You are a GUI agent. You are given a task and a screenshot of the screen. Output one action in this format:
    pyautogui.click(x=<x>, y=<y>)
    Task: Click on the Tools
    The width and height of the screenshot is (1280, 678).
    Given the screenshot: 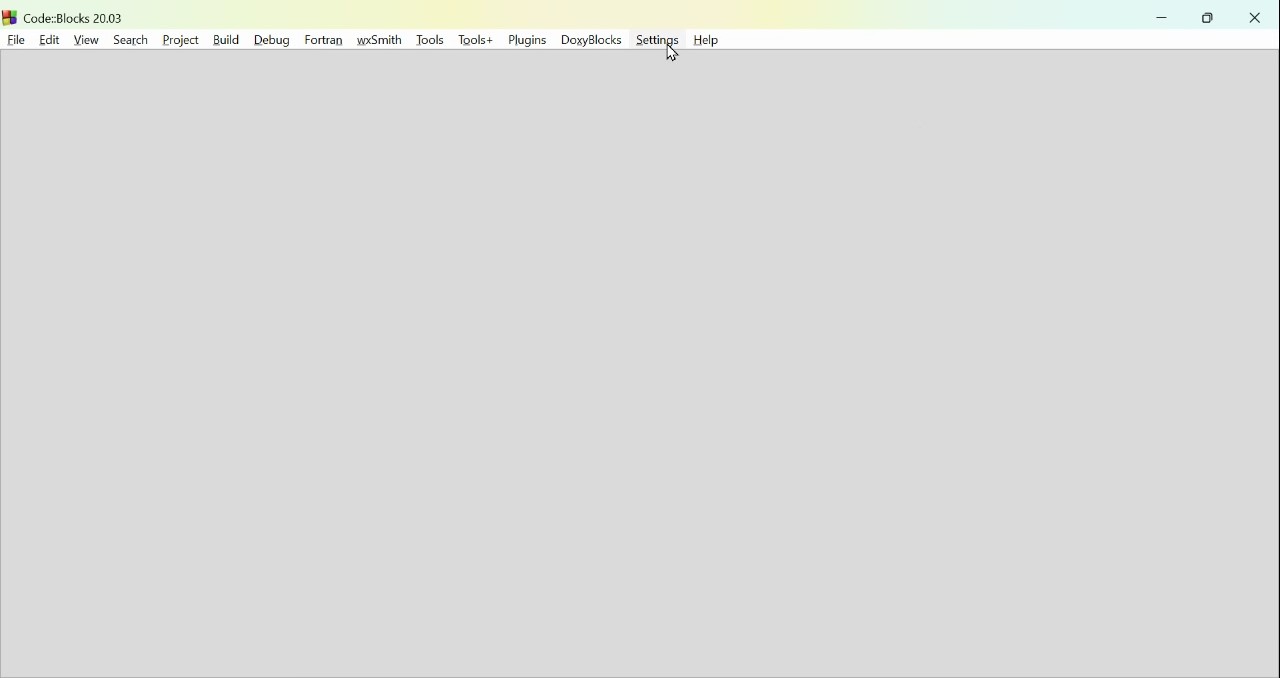 What is the action you would take?
    pyautogui.click(x=431, y=40)
    